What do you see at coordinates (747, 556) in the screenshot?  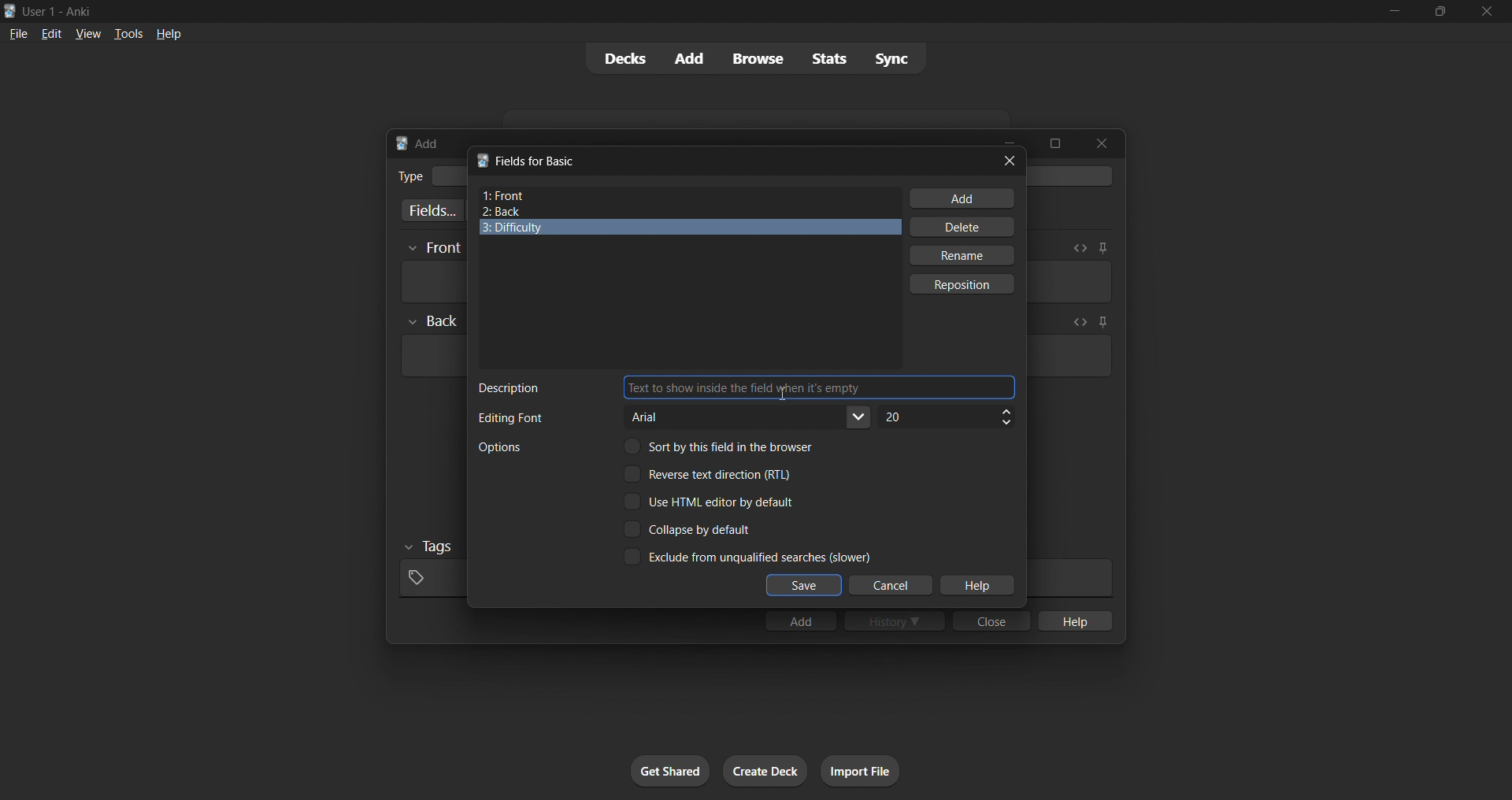 I see `Toggle` at bounding box center [747, 556].